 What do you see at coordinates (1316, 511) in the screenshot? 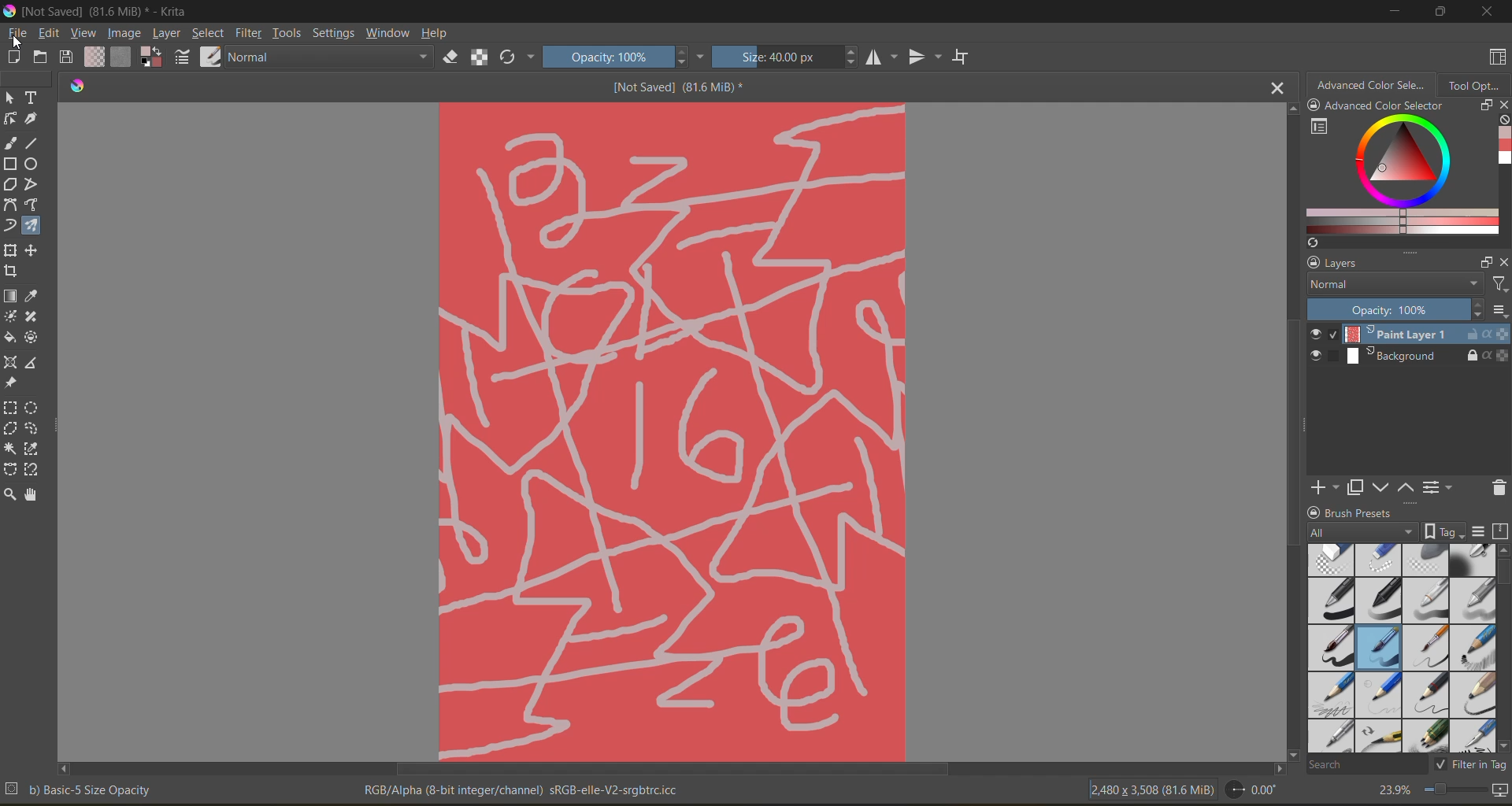
I see `lock/unlock docker` at bounding box center [1316, 511].